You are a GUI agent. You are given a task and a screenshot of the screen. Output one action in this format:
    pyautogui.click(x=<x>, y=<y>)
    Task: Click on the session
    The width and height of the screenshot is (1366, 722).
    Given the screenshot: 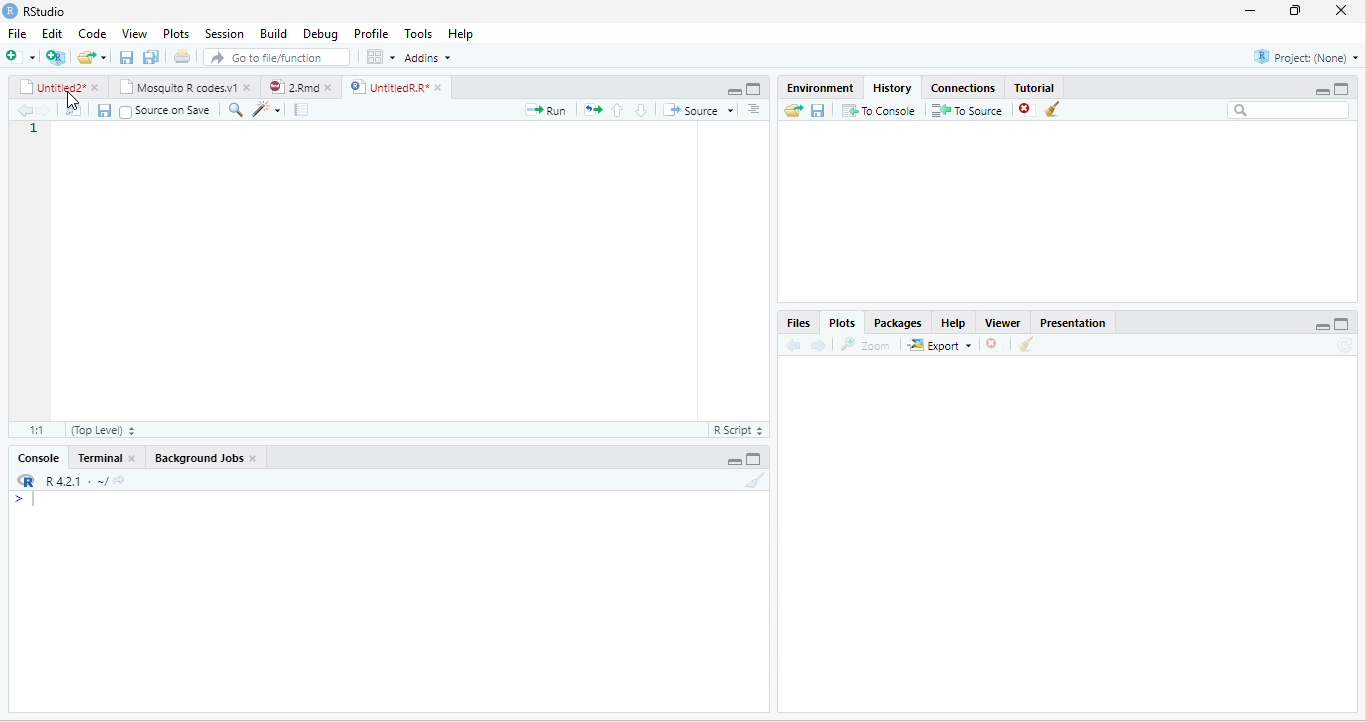 What is the action you would take?
    pyautogui.click(x=224, y=33)
    